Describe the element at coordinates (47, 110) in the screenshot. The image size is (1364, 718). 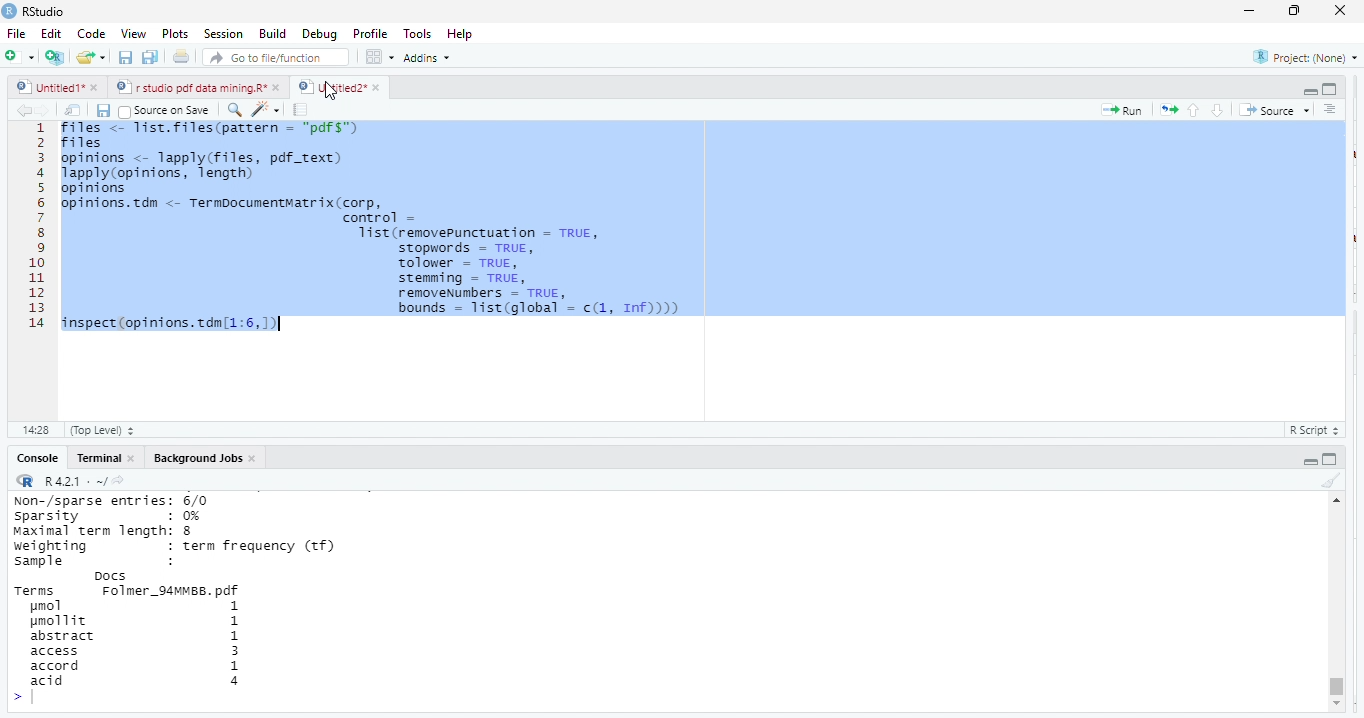
I see `go forward to the next source location` at that location.